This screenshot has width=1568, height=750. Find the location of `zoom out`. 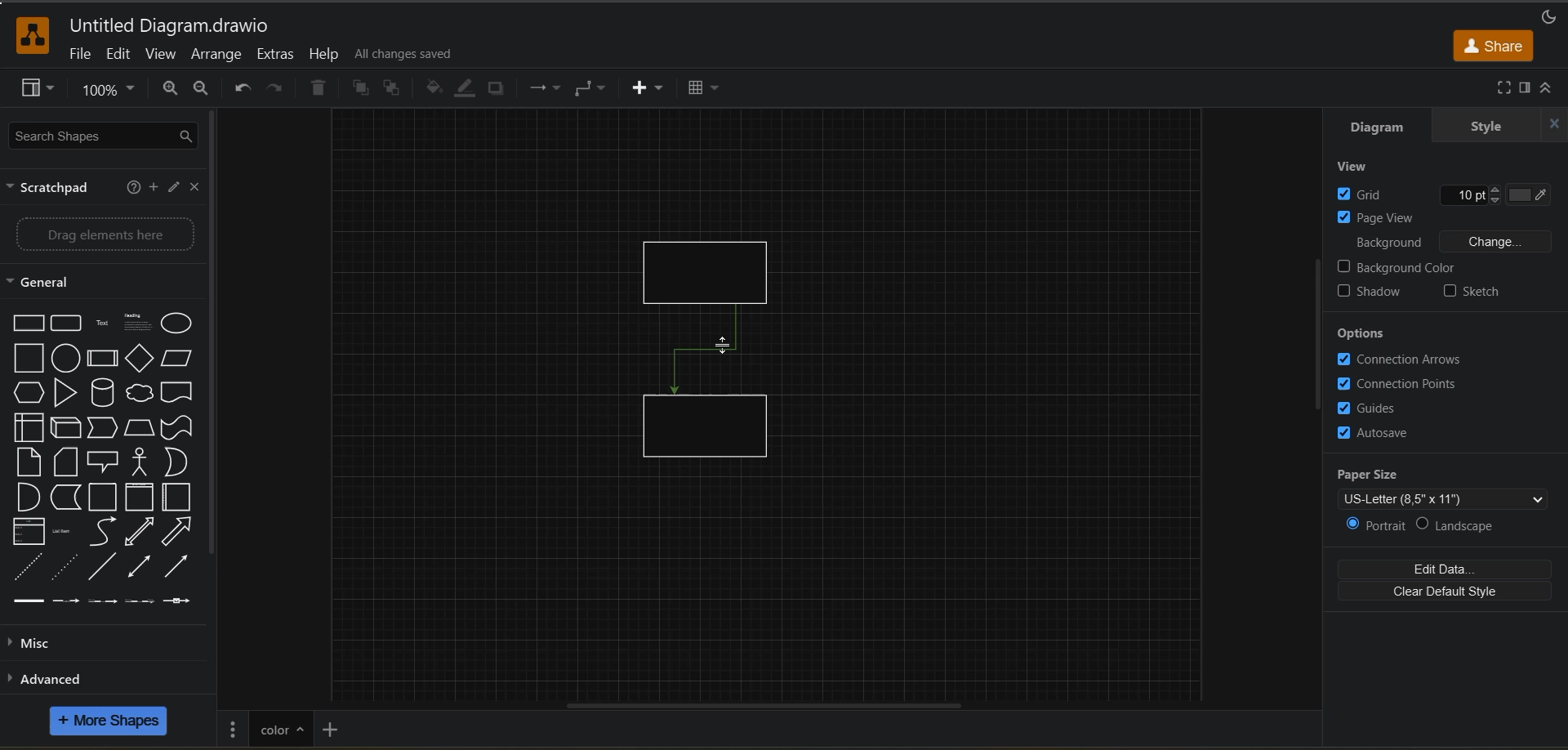

zoom out is located at coordinates (202, 90).